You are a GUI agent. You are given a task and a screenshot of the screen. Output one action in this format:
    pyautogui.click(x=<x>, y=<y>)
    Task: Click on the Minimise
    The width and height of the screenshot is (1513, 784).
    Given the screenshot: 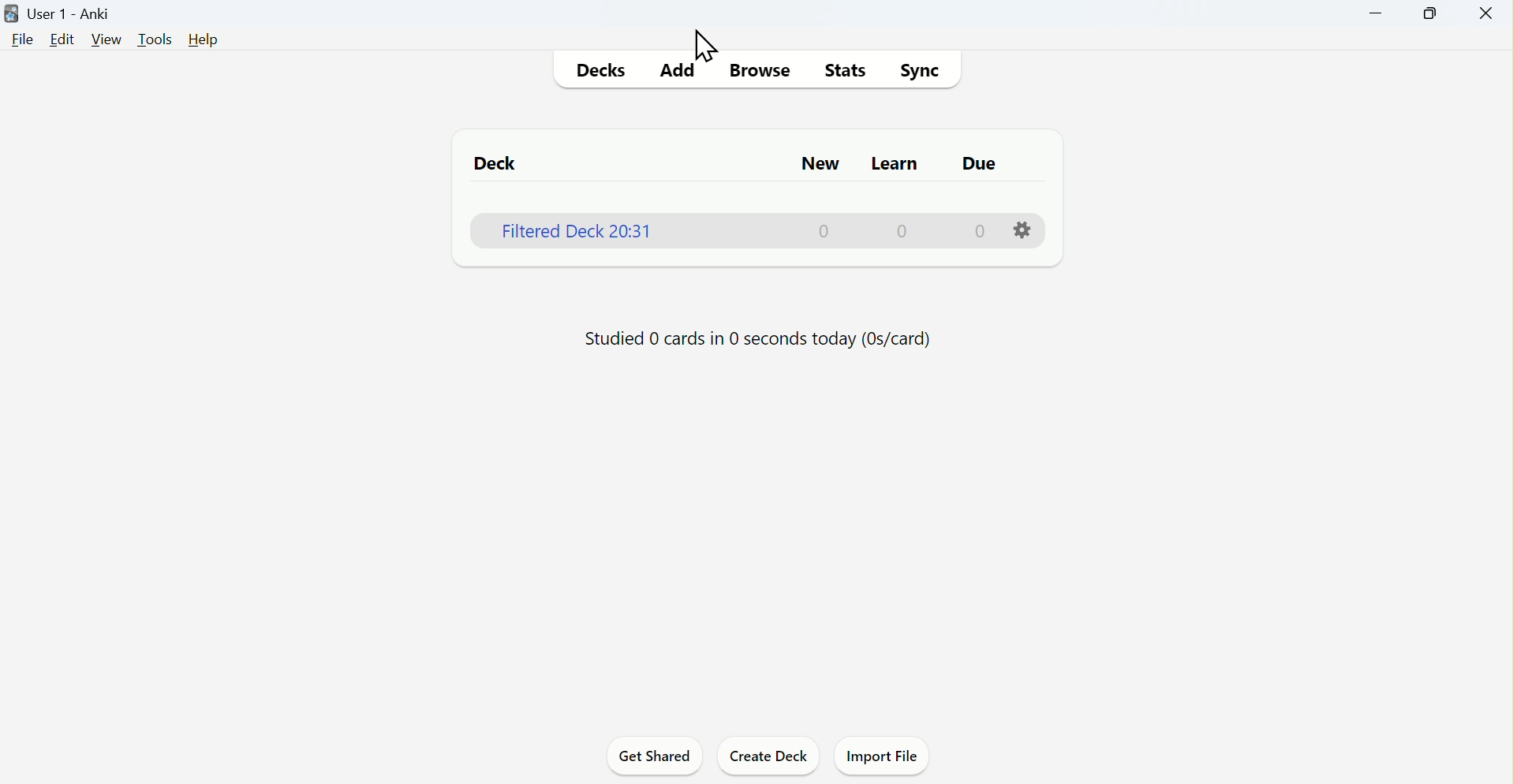 What is the action you would take?
    pyautogui.click(x=1375, y=13)
    